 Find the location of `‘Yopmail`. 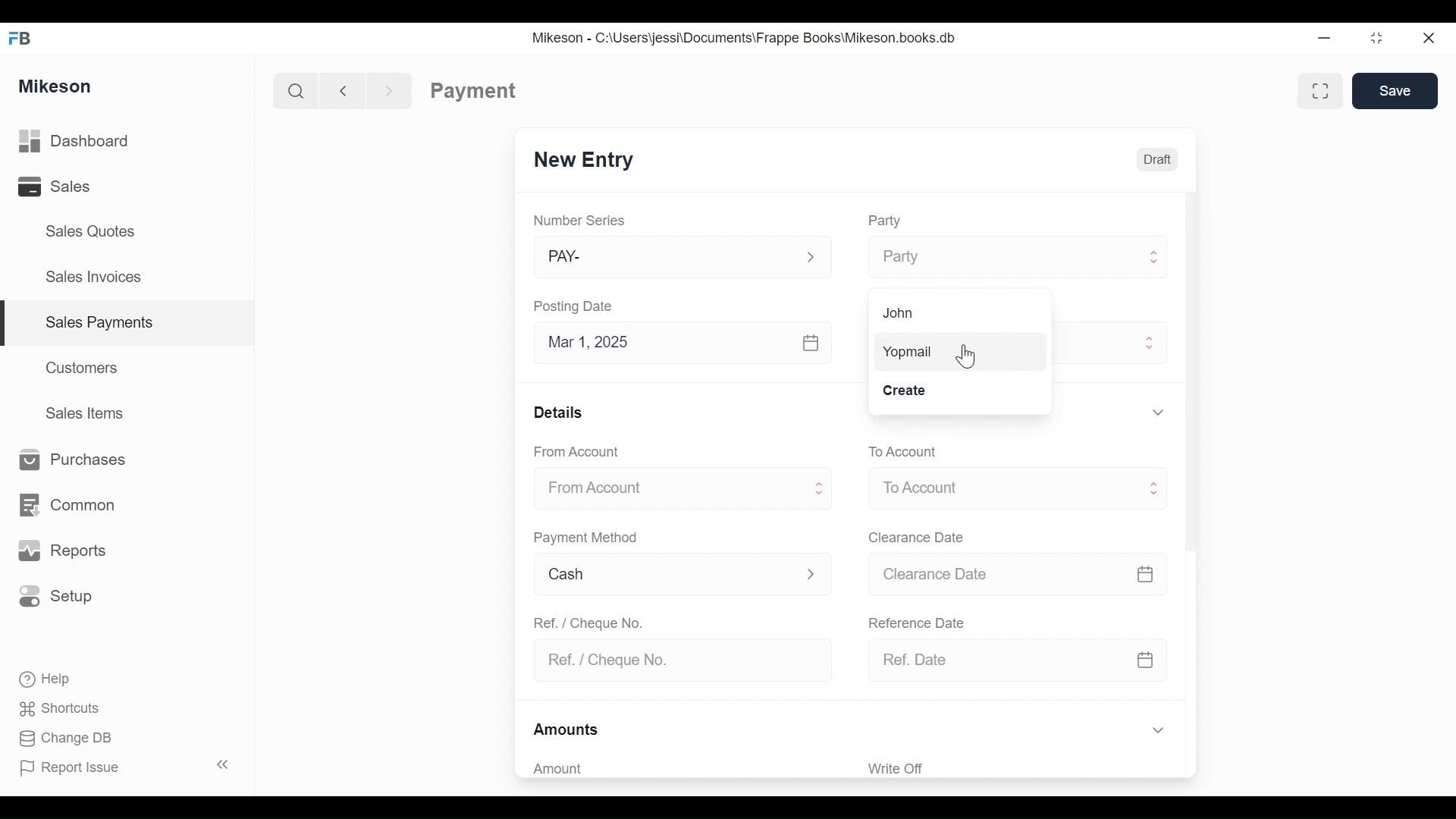

‘Yopmail is located at coordinates (907, 353).